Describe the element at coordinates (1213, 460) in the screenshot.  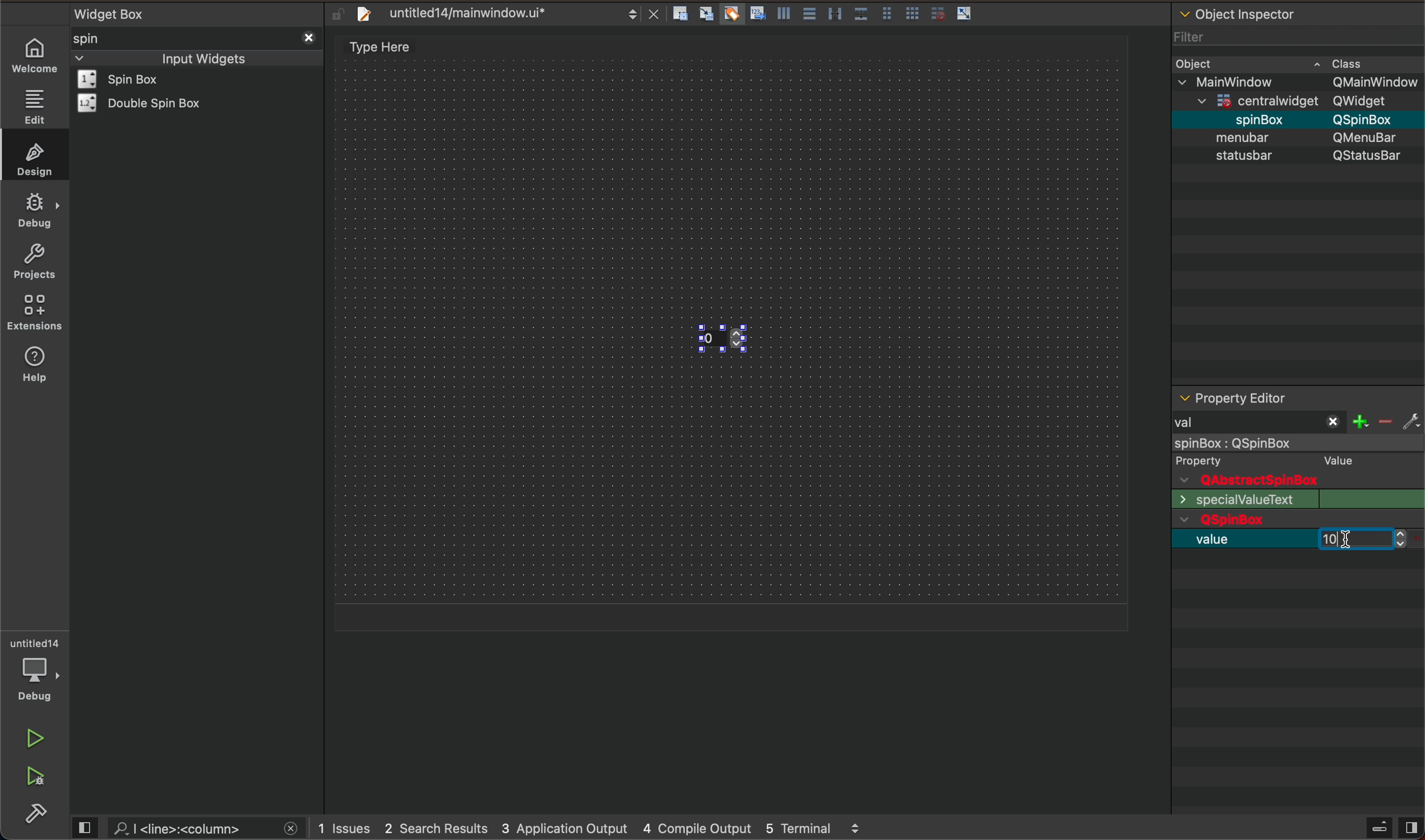
I see `text` at that location.